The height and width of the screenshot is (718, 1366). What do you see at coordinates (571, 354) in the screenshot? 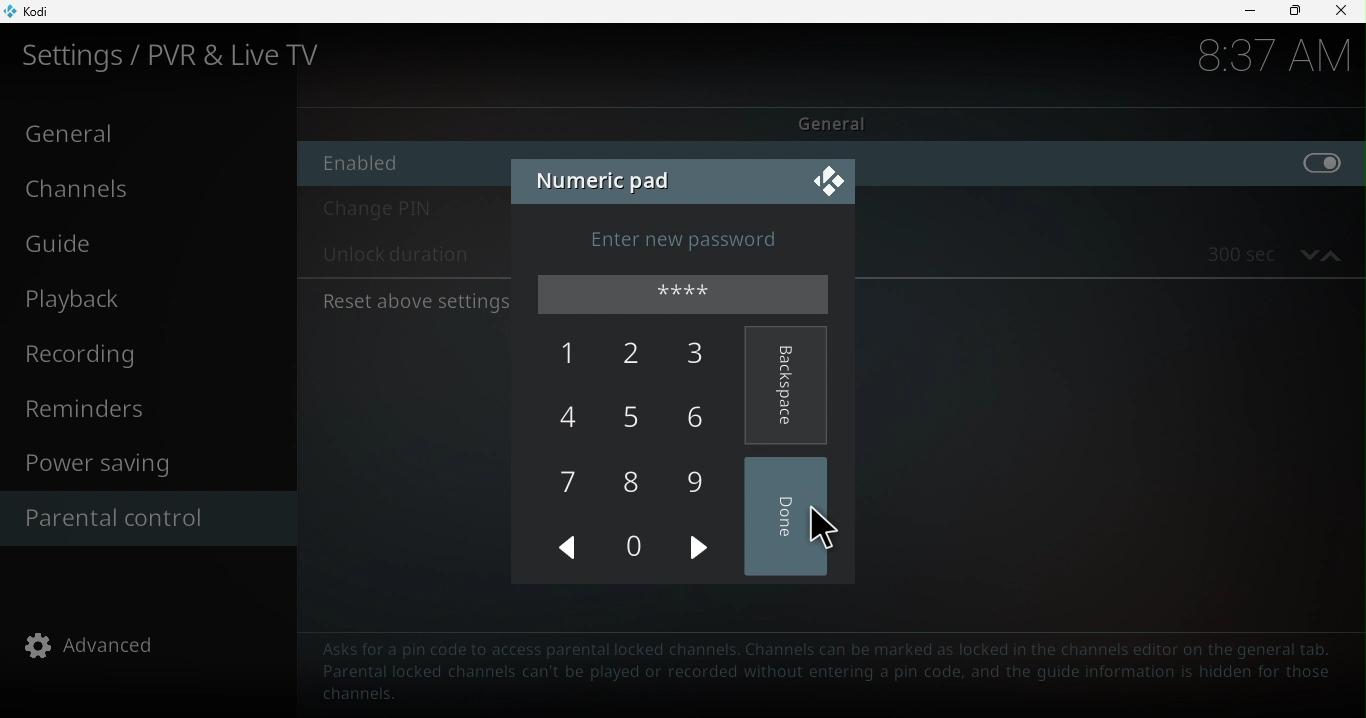
I see `1` at bounding box center [571, 354].